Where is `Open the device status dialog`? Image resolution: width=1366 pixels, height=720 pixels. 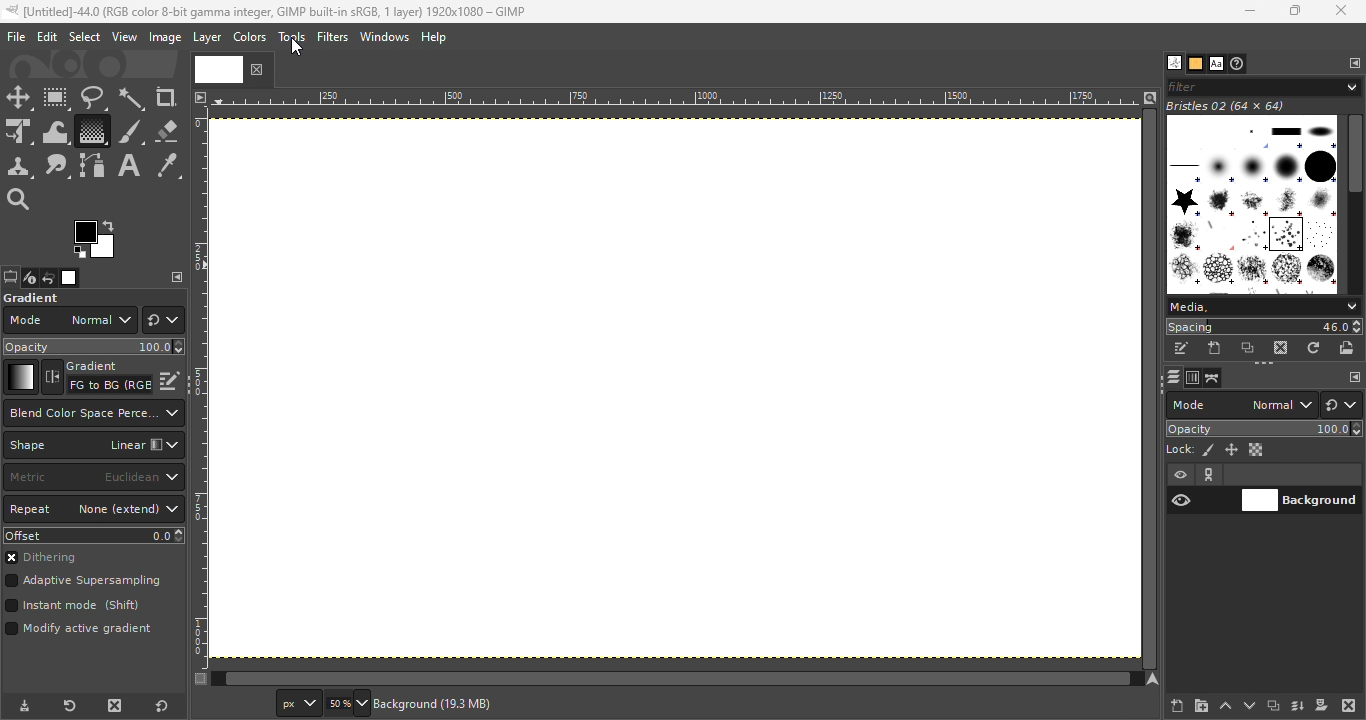 Open the device status dialog is located at coordinates (28, 279).